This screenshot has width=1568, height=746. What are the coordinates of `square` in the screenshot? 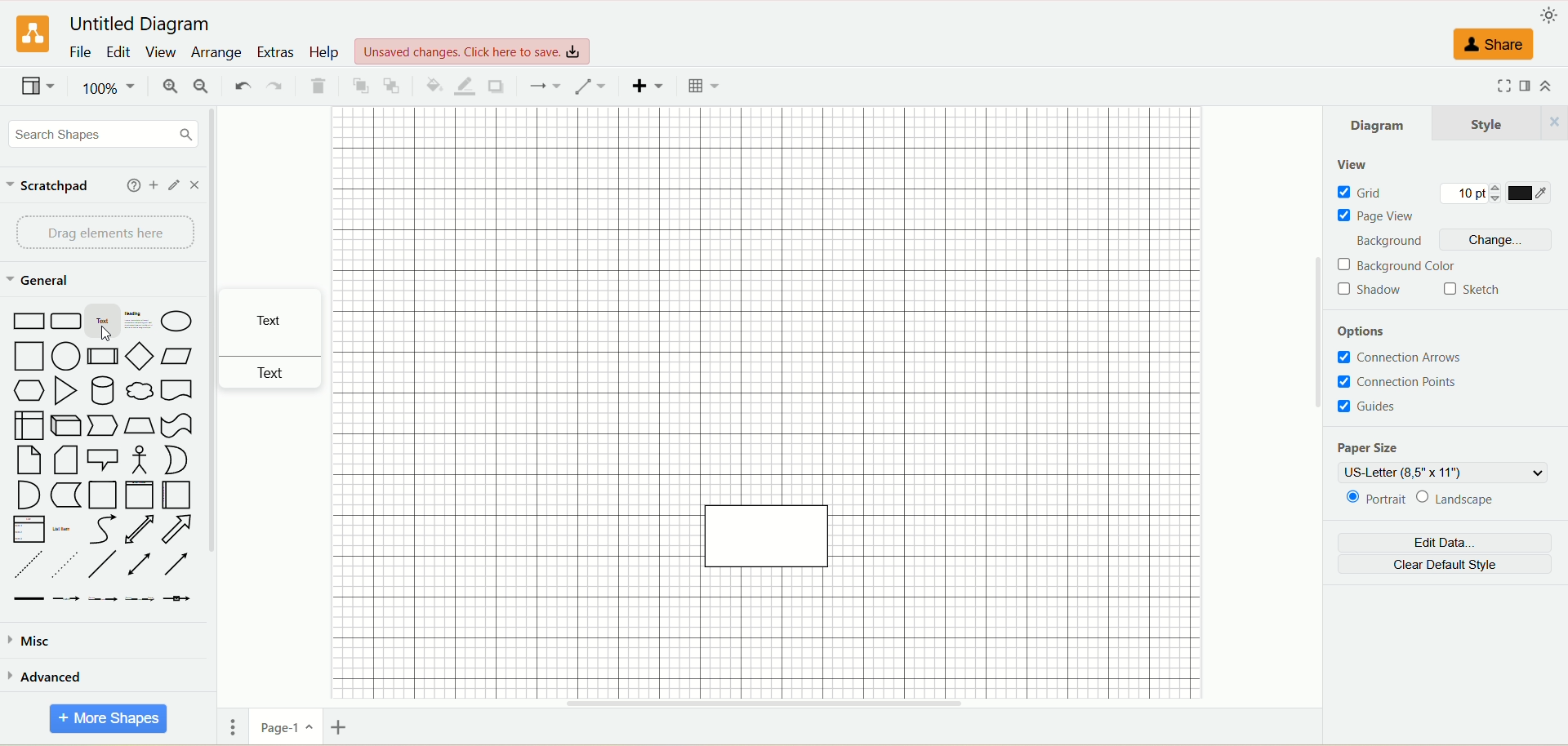 It's located at (30, 357).